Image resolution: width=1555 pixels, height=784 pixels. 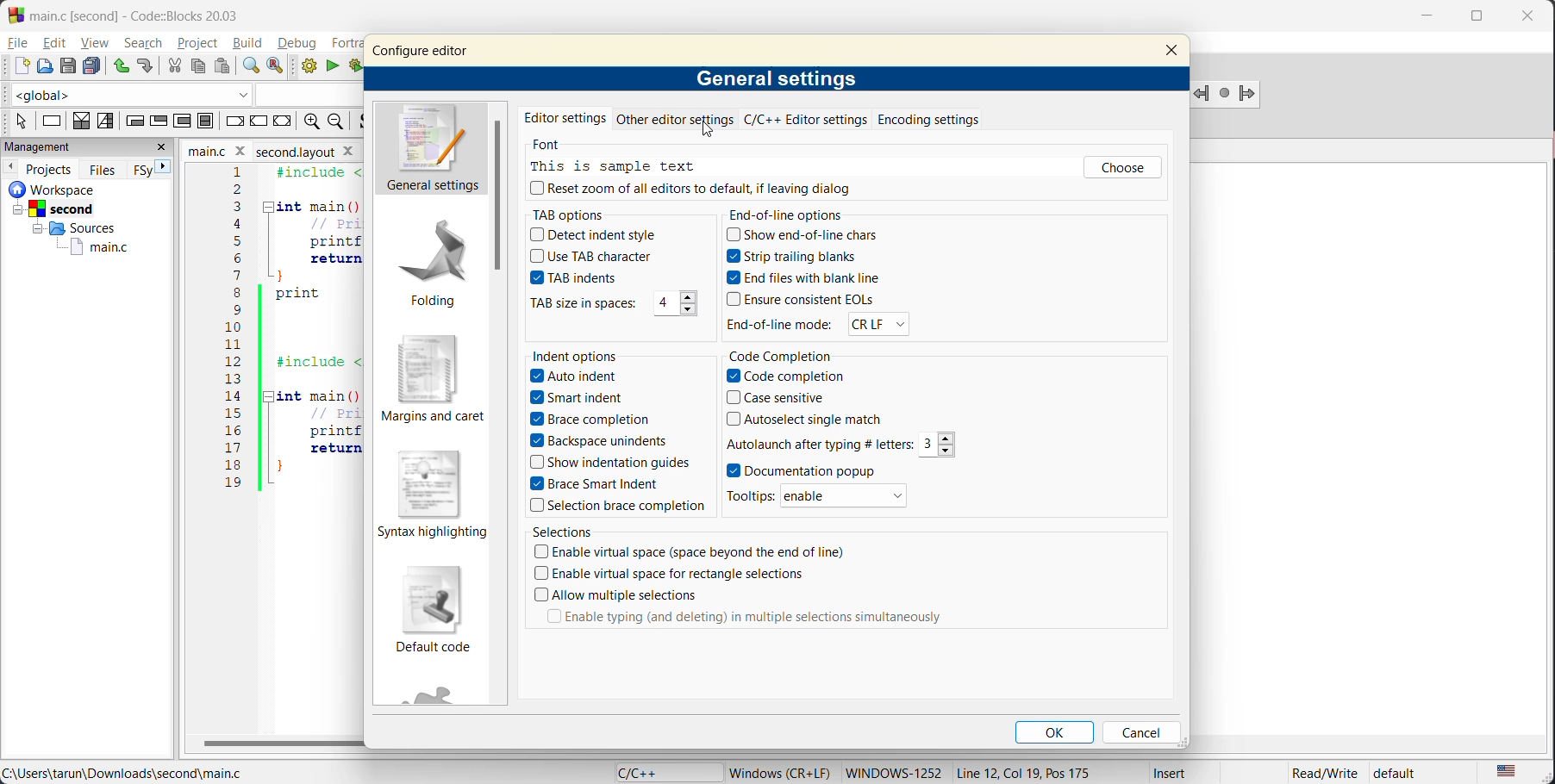 What do you see at coordinates (177, 94) in the screenshot?
I see `code completion compiler` at bounding box center [177, 94].